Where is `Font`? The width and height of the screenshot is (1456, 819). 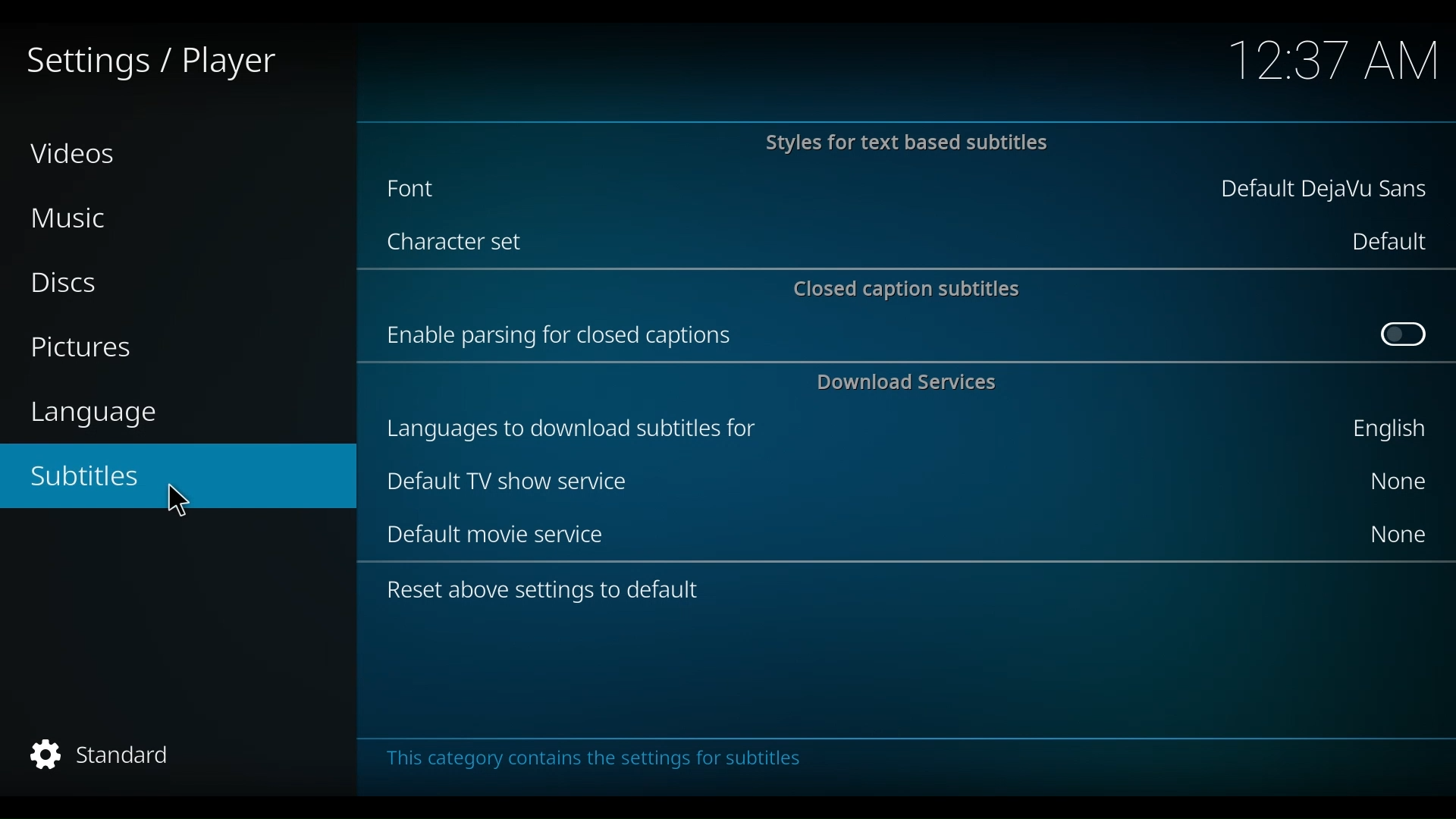 Font is located at coordinates (430, 188).